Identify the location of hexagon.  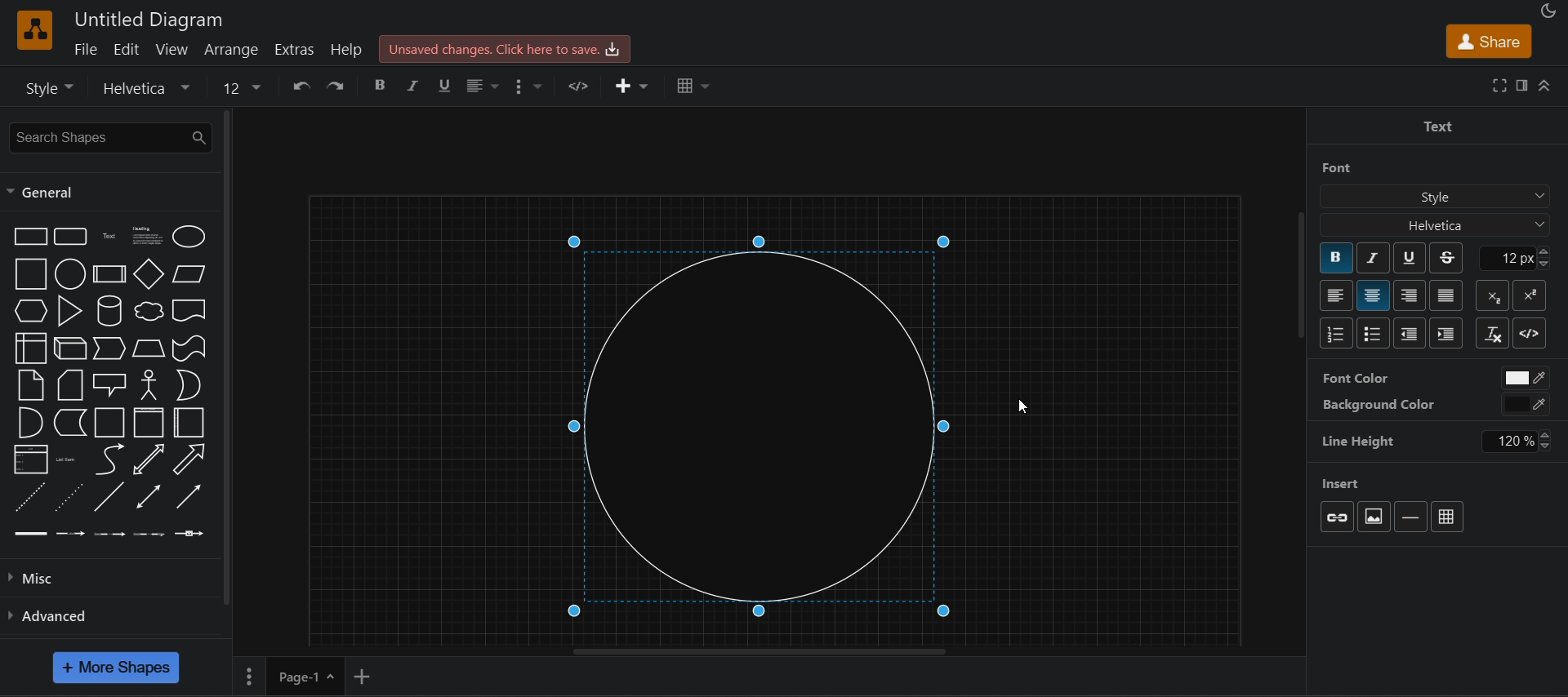
(28, 311).